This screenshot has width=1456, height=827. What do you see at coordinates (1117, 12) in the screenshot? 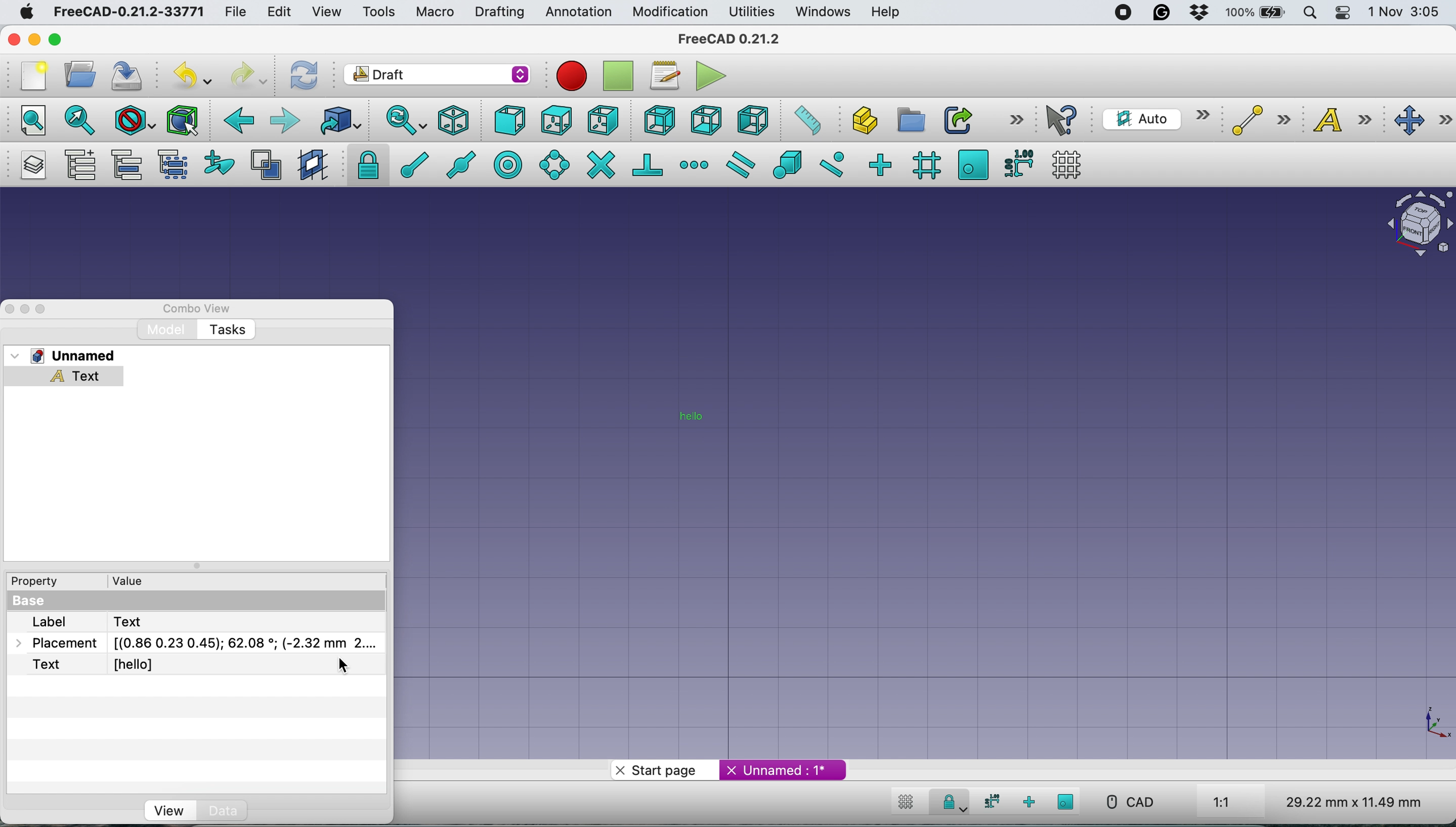
I see `screen recorder` at bounding box center [1117, 12].